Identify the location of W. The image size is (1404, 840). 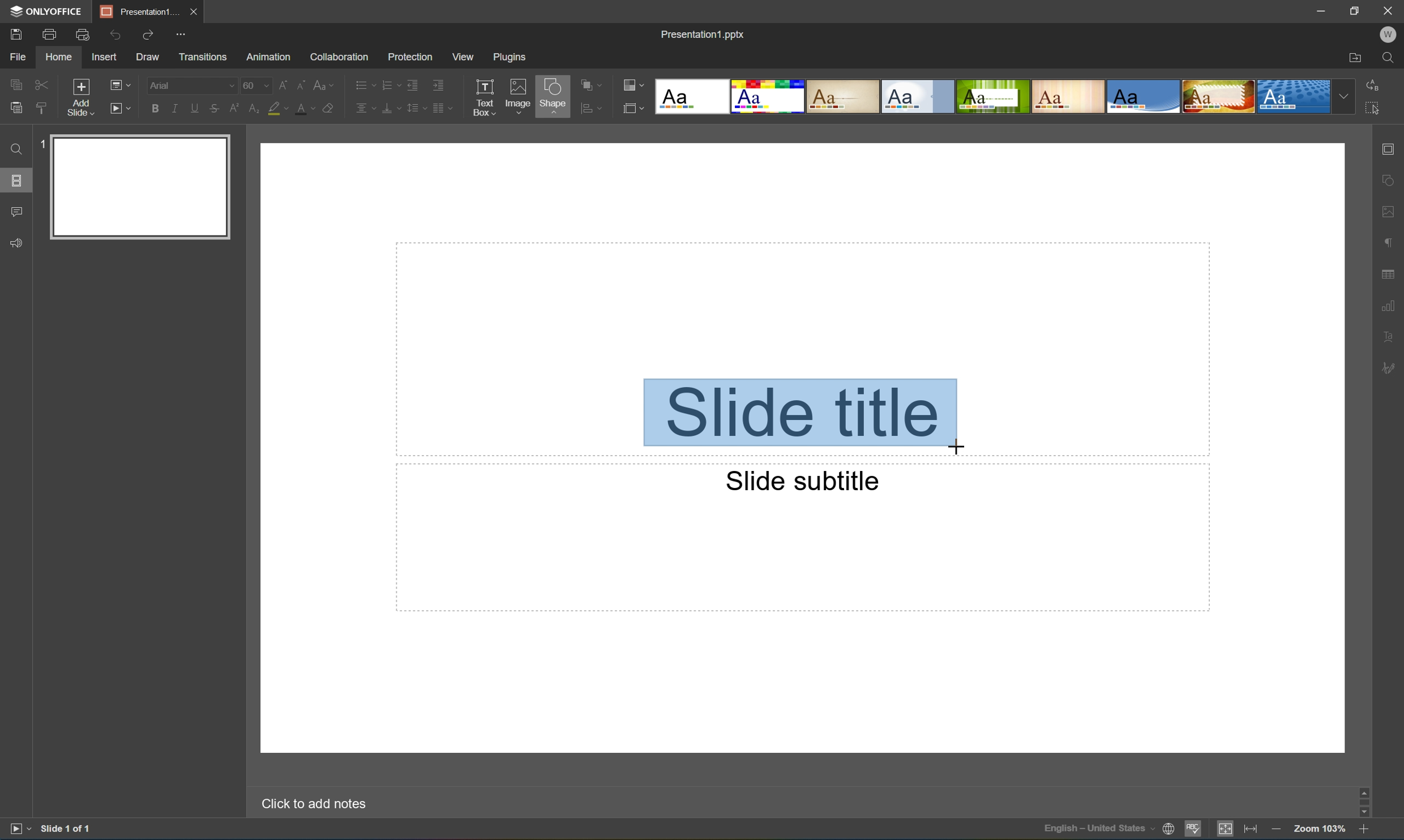
(1388, 32).